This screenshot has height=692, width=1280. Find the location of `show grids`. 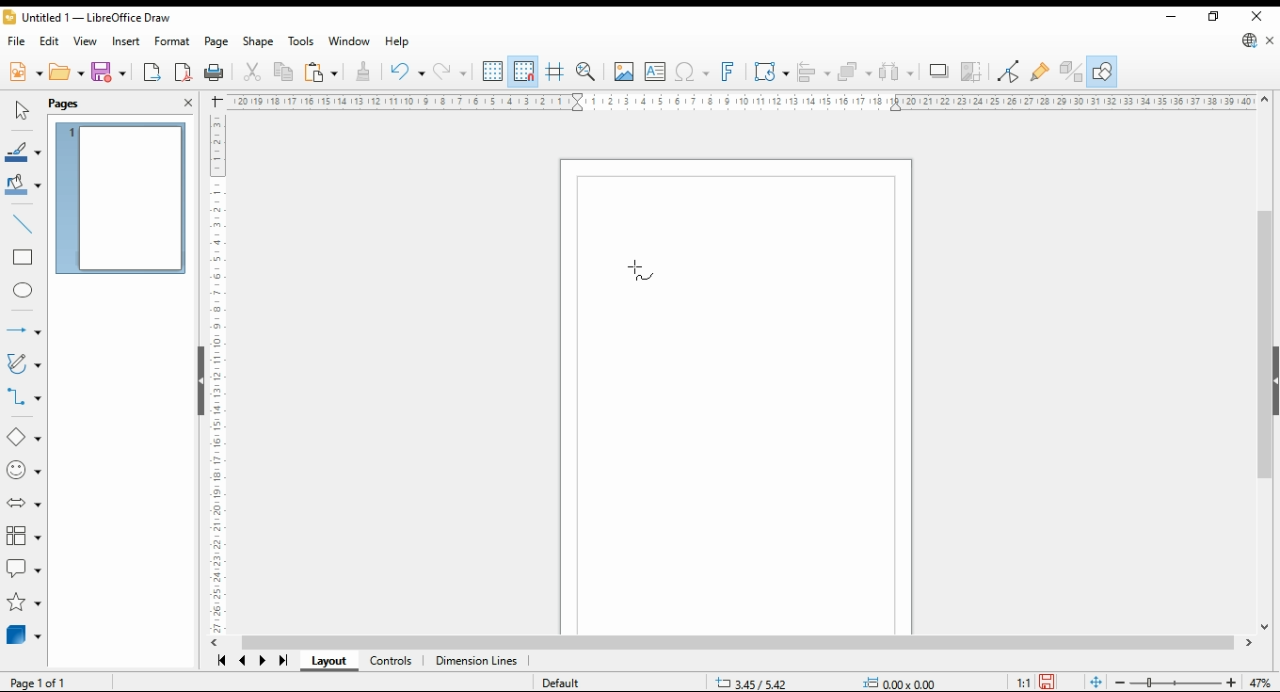

show grids is located at coordinates (492, 71).